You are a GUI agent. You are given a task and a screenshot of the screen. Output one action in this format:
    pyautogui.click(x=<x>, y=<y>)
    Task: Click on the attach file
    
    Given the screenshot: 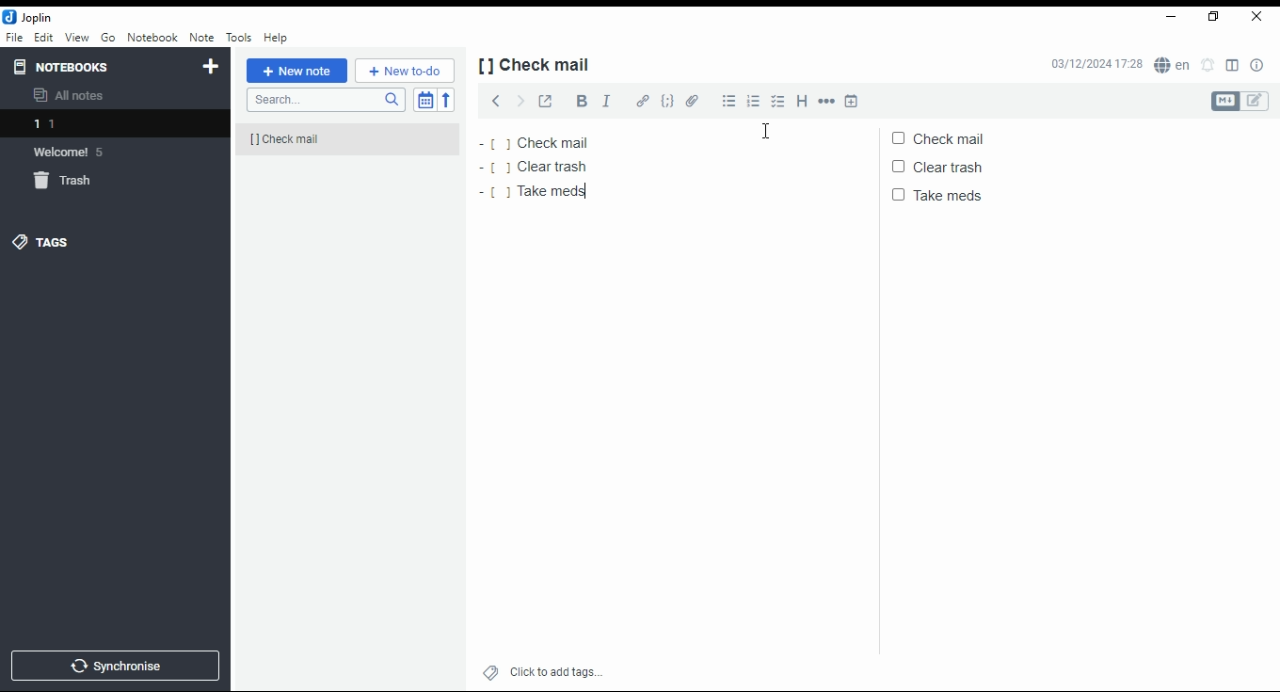 What is the action you would take?
    pyautogui.click(x=691, y=102)
    